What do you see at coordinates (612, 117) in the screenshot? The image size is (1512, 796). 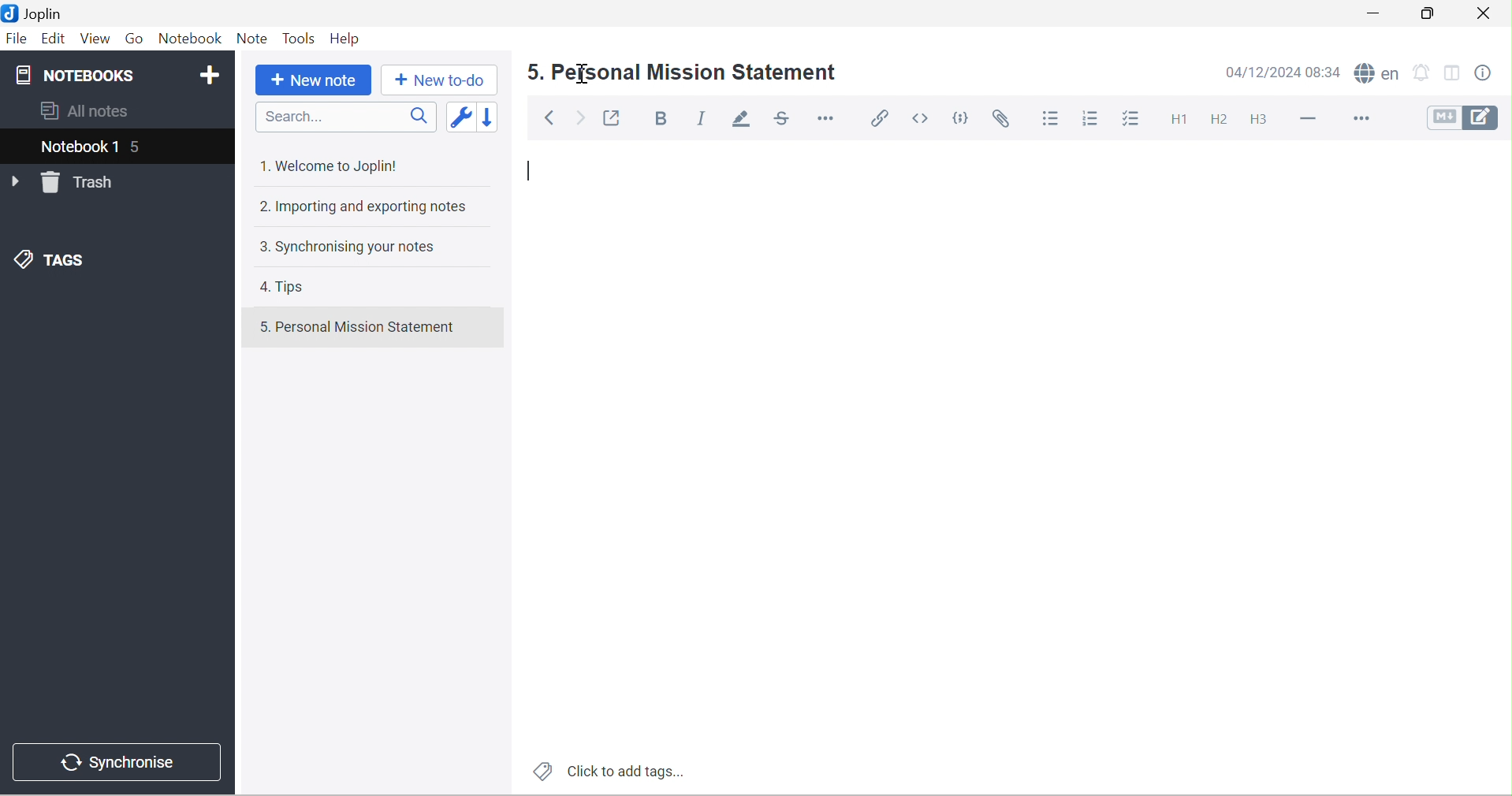 I see `Toggle external editing` at bounding box center [612, 117].